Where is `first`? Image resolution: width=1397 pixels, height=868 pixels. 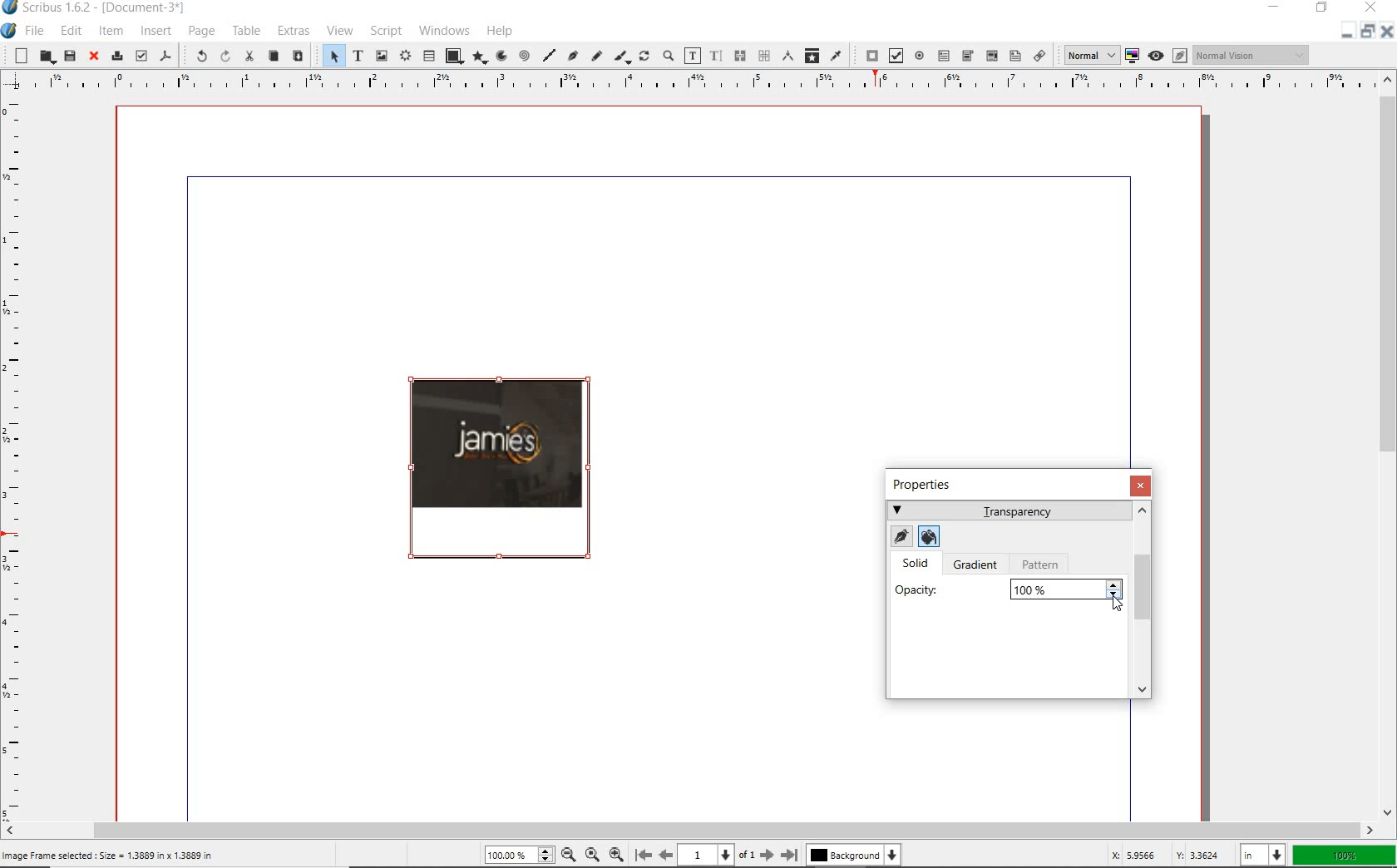 first is located at coordinates (643, 856).